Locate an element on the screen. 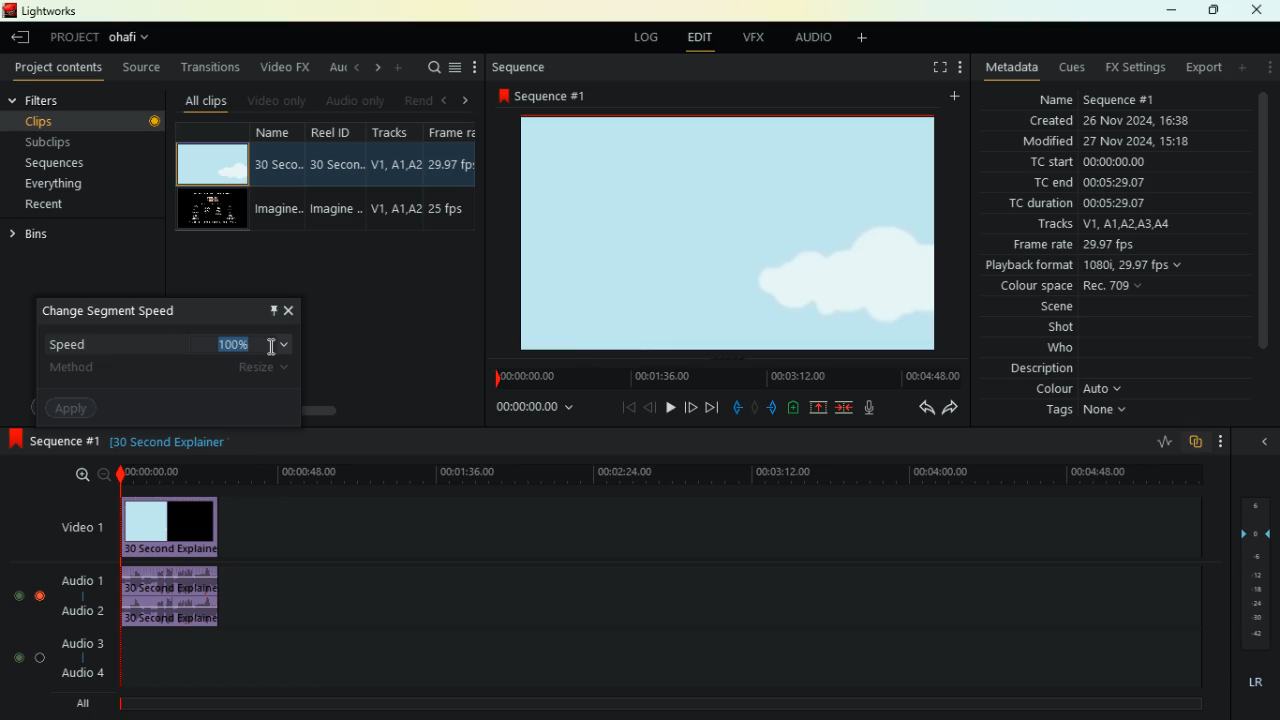 This screenshot has height=720, width=1280. subclips is located at coordinates (60, 143).